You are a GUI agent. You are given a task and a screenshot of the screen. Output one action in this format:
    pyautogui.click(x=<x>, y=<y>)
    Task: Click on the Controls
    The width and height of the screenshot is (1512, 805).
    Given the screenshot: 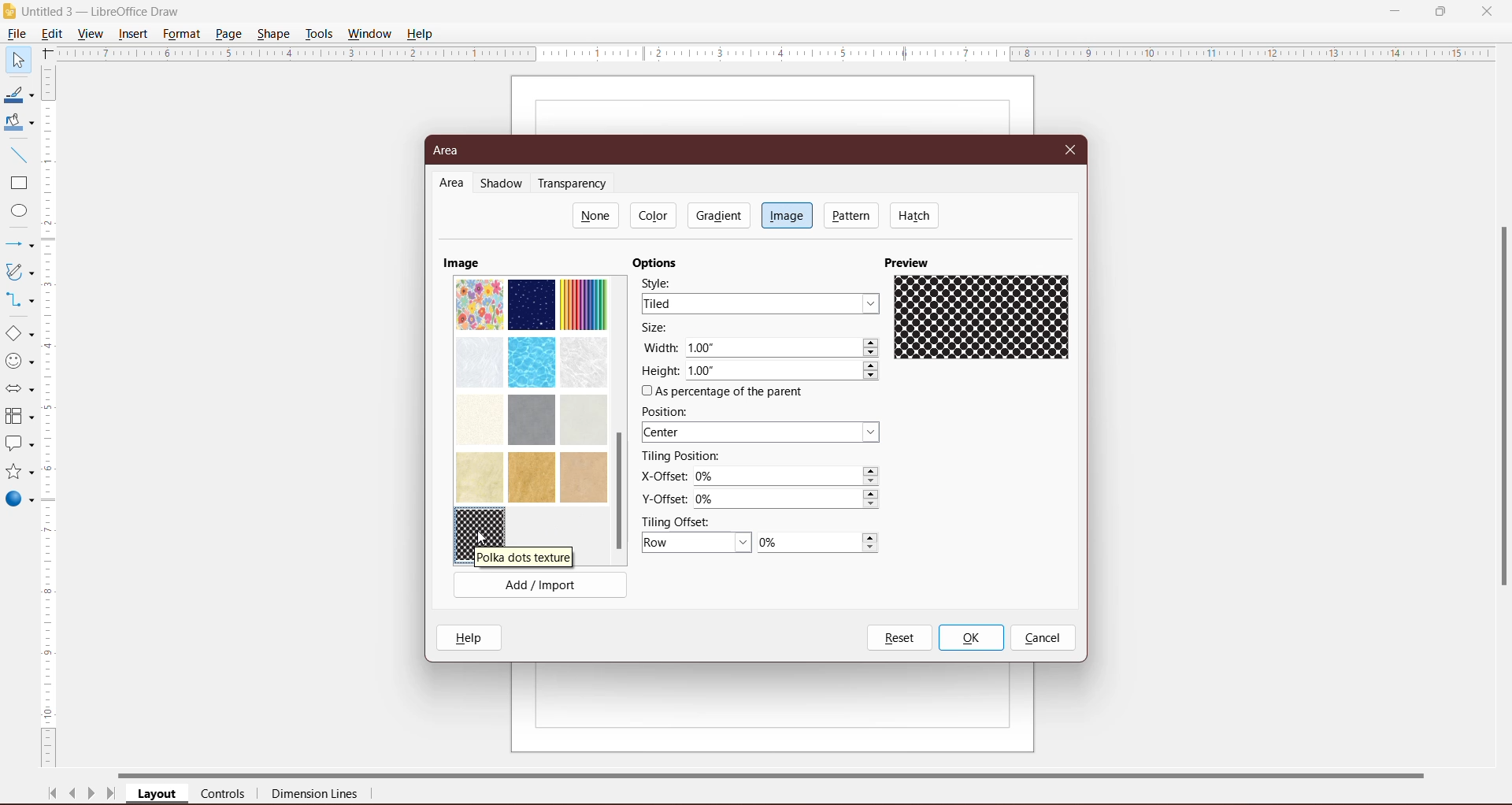 What is the action you would take?
    pyautogui.click(x=228, y=795)
    